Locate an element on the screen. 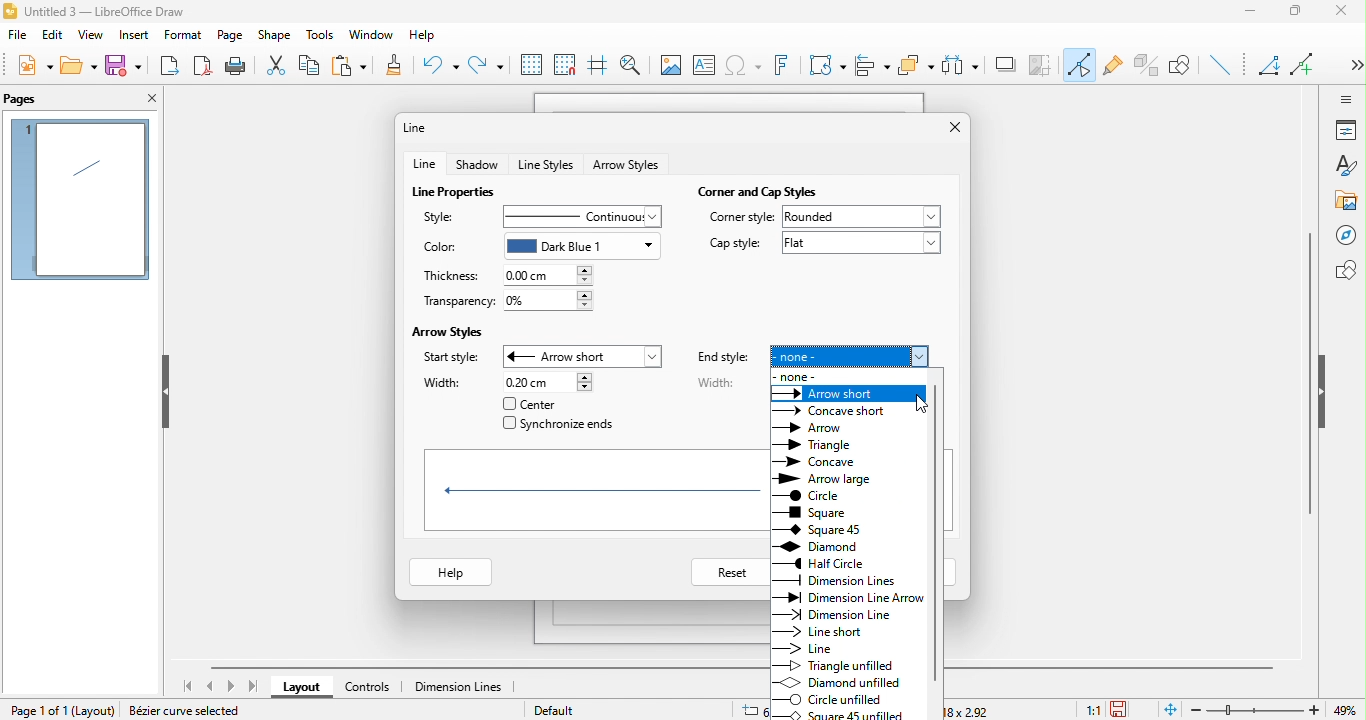 This screenshot has width=1366, height=720. arrow short is located at coordinates (588, 357).